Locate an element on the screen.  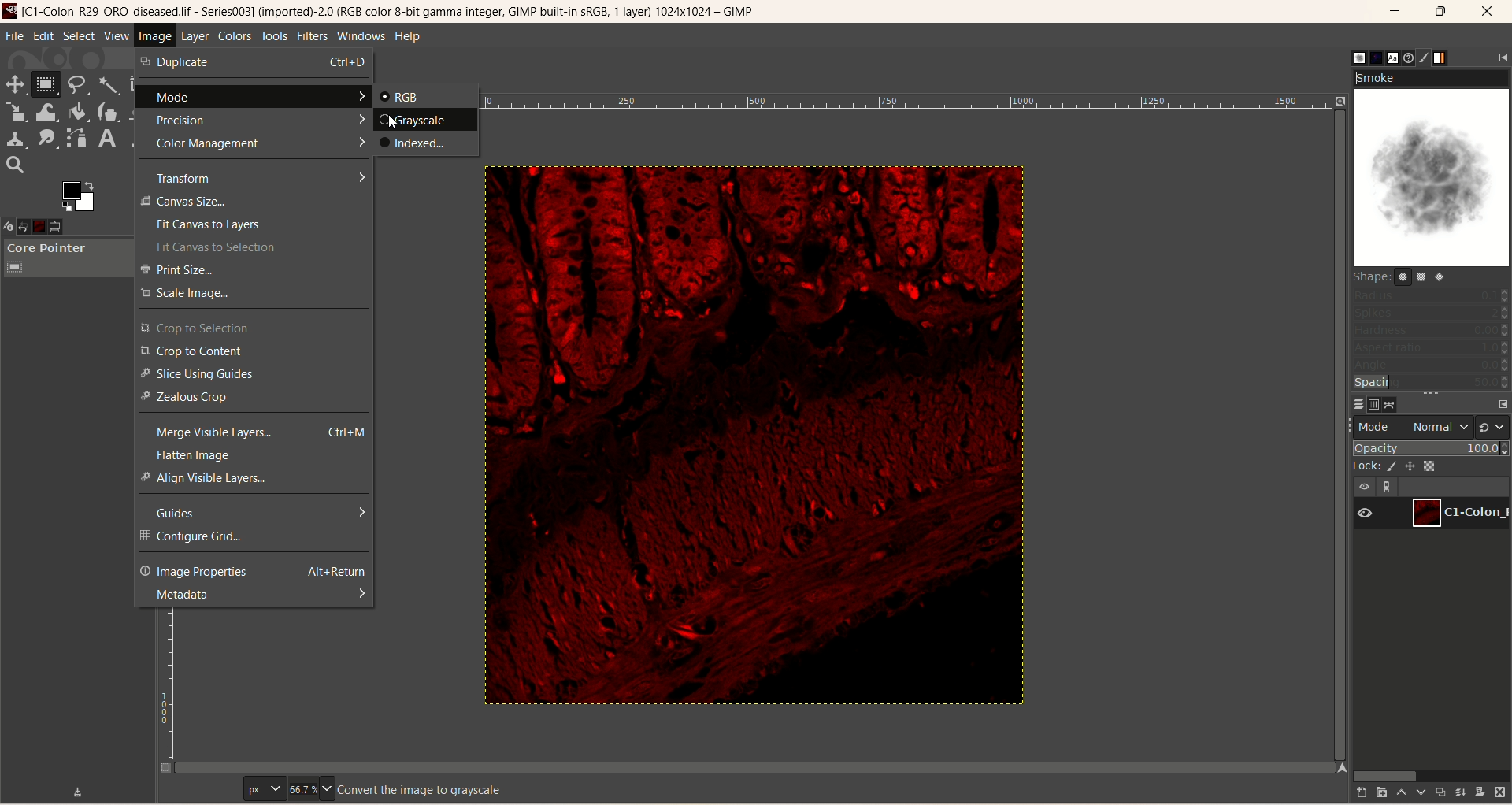
raise this layer one step is located at coordinates (1403, 793).